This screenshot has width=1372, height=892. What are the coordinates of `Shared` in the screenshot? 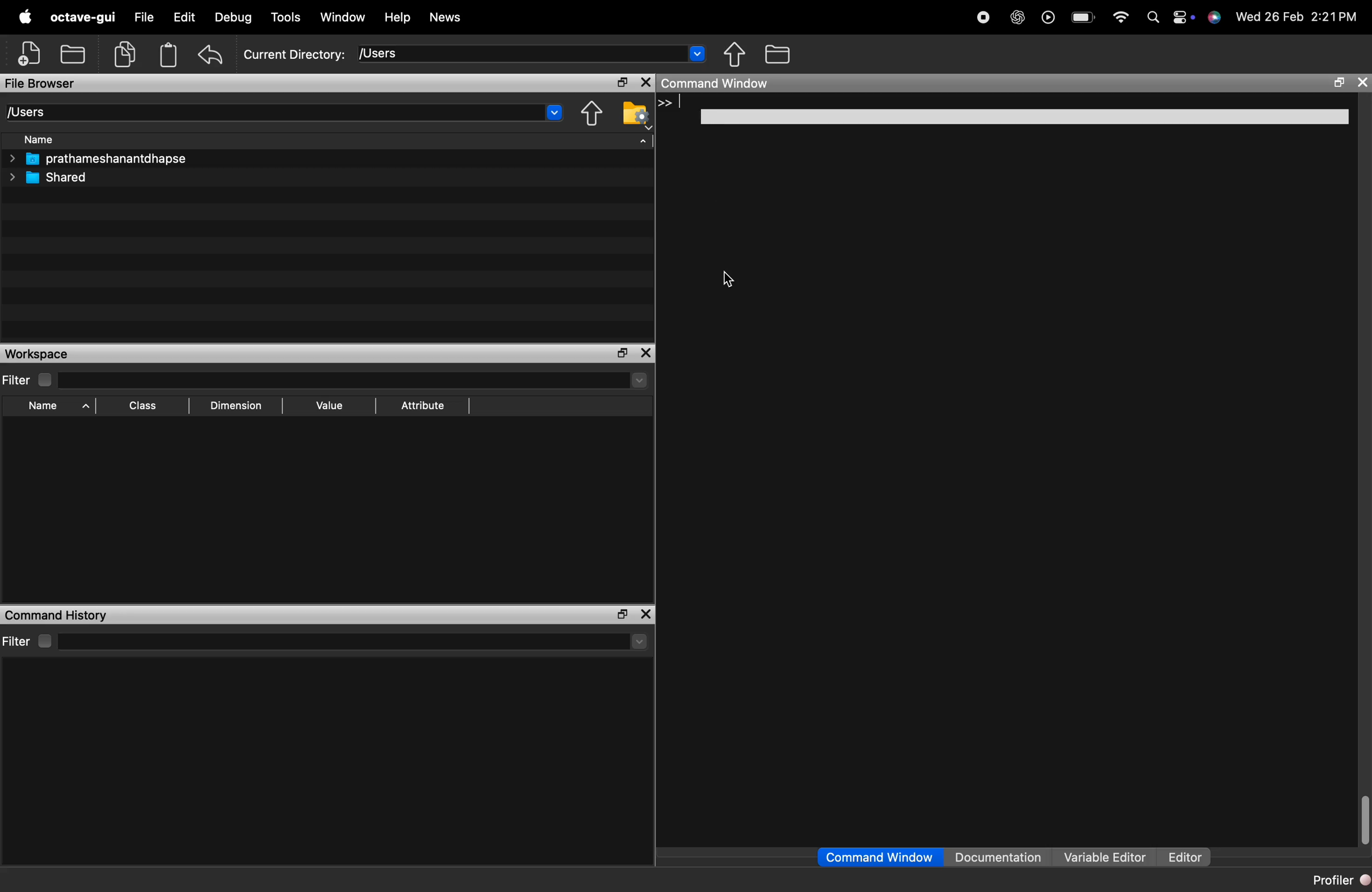 It's located at (46, 177).